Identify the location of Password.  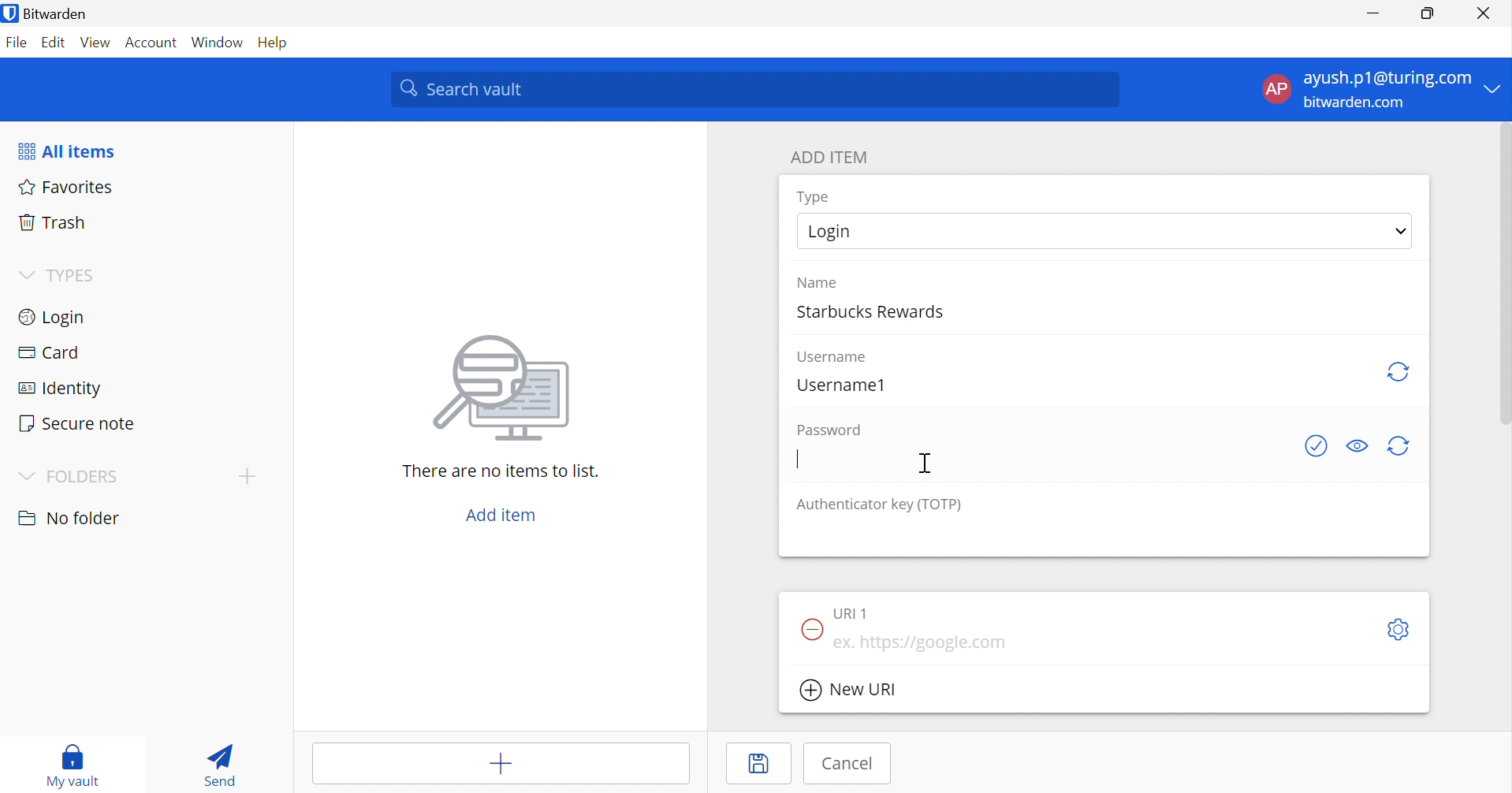
(829, 430).